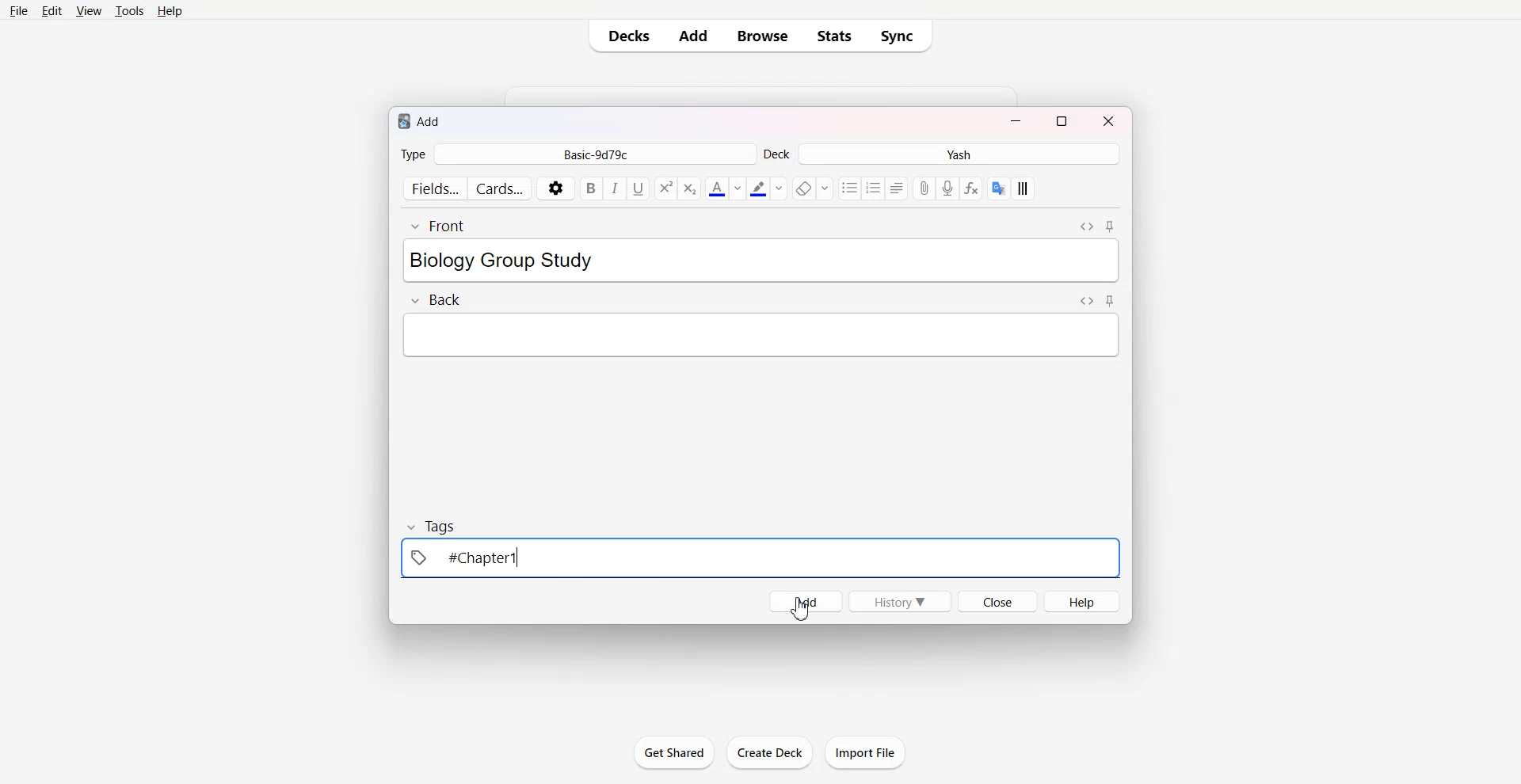 This screenshot has width=1521, height=784. What do you see at coordinates (925, 188) in the screenshot?
I see `Attach File` at bounding box center [925, 188].